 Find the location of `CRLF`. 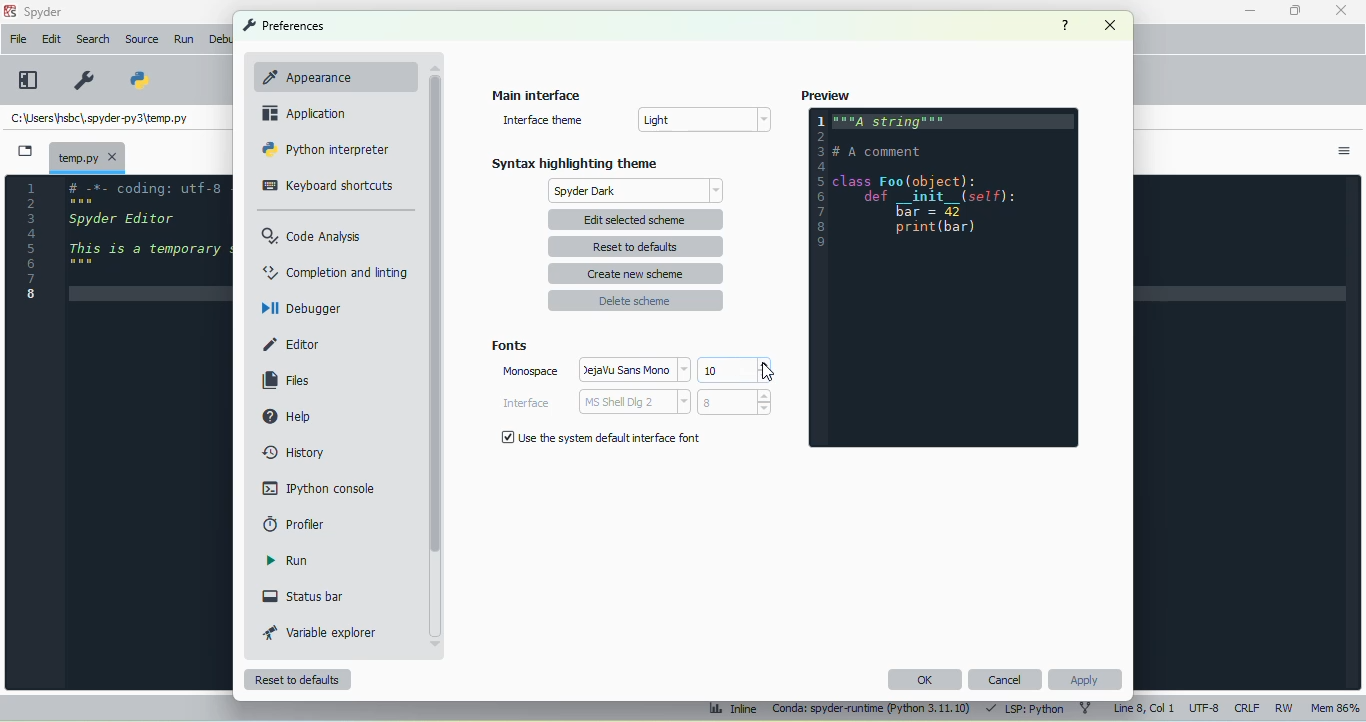

CRLF is located at coordinates (1246, 709).